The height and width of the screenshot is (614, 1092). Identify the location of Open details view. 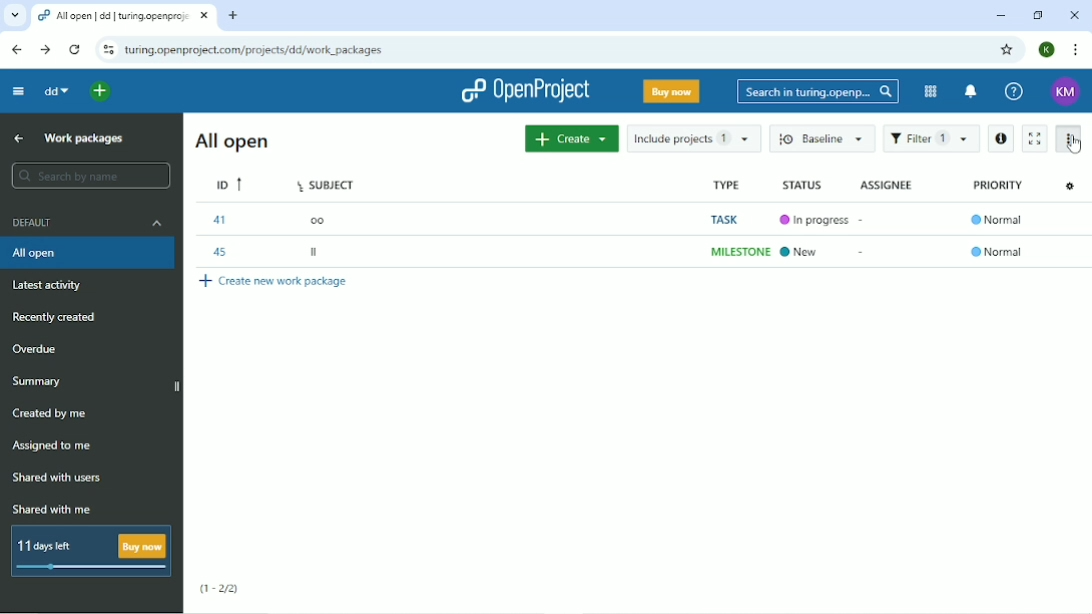
(1000, 139).